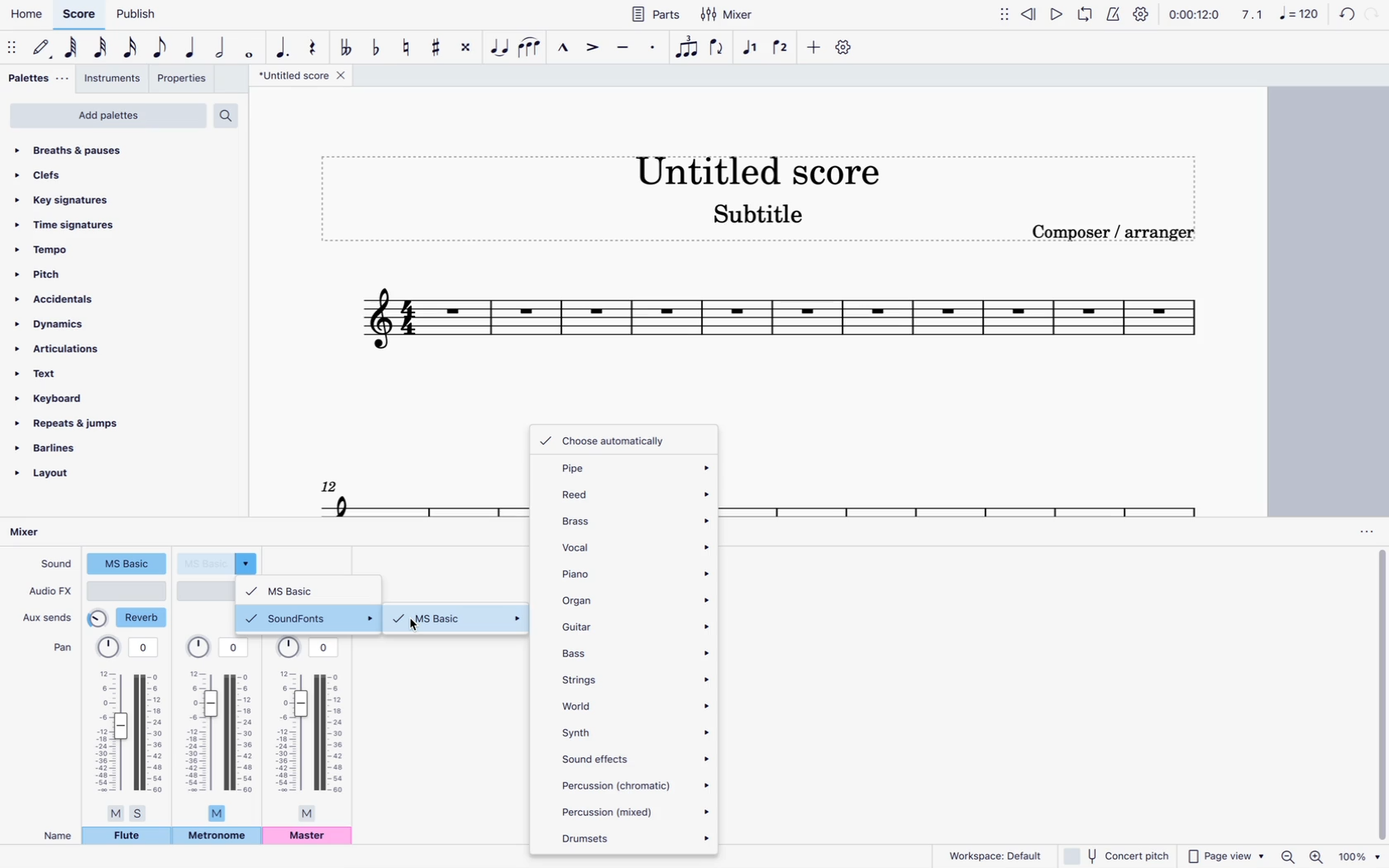 Image resolution: width=1389 pixels, height=868 pixels. I want to click on default, so click(45, 49).